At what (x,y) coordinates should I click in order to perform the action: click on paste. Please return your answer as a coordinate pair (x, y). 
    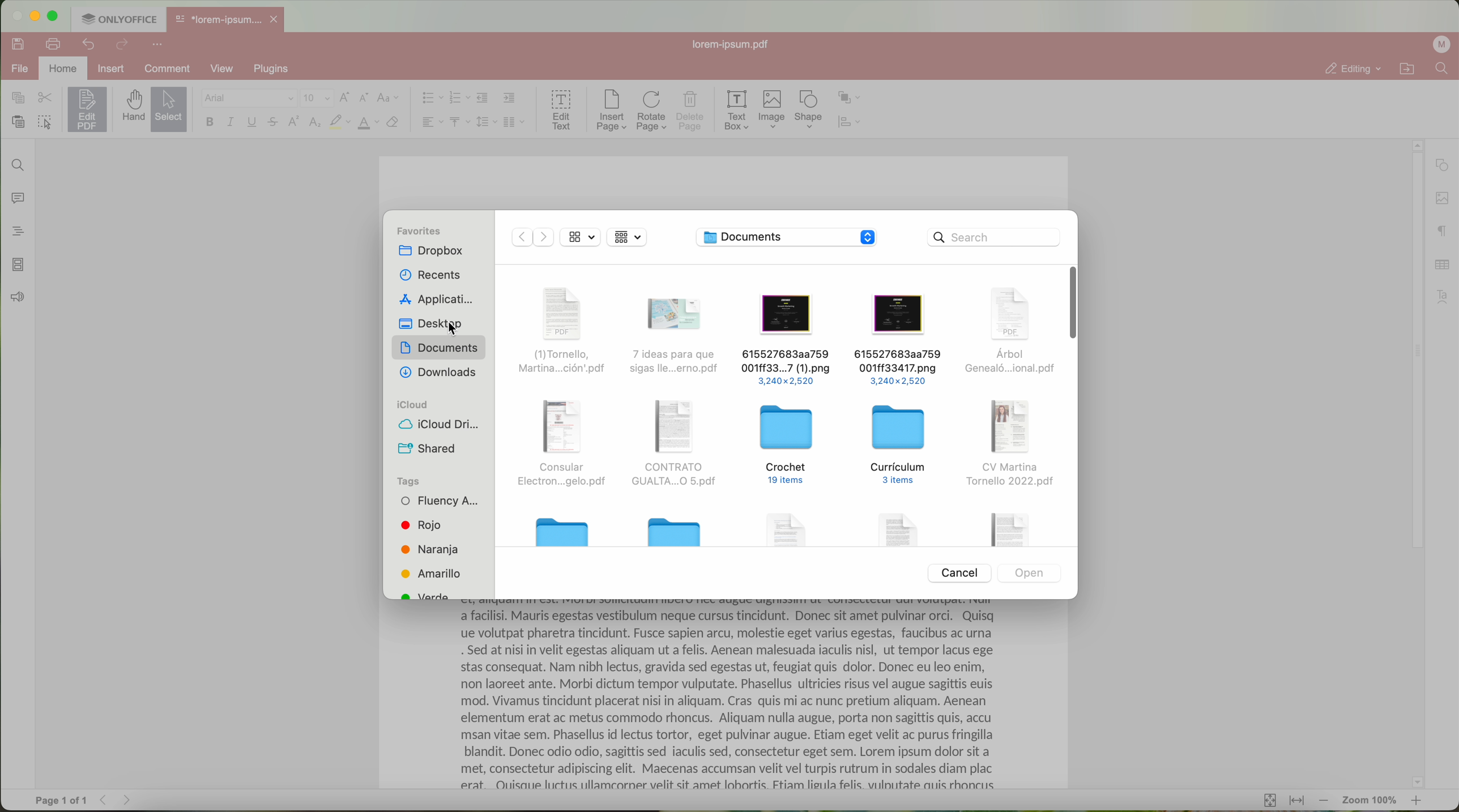
    Looking at the image, I should click on (18, 122).